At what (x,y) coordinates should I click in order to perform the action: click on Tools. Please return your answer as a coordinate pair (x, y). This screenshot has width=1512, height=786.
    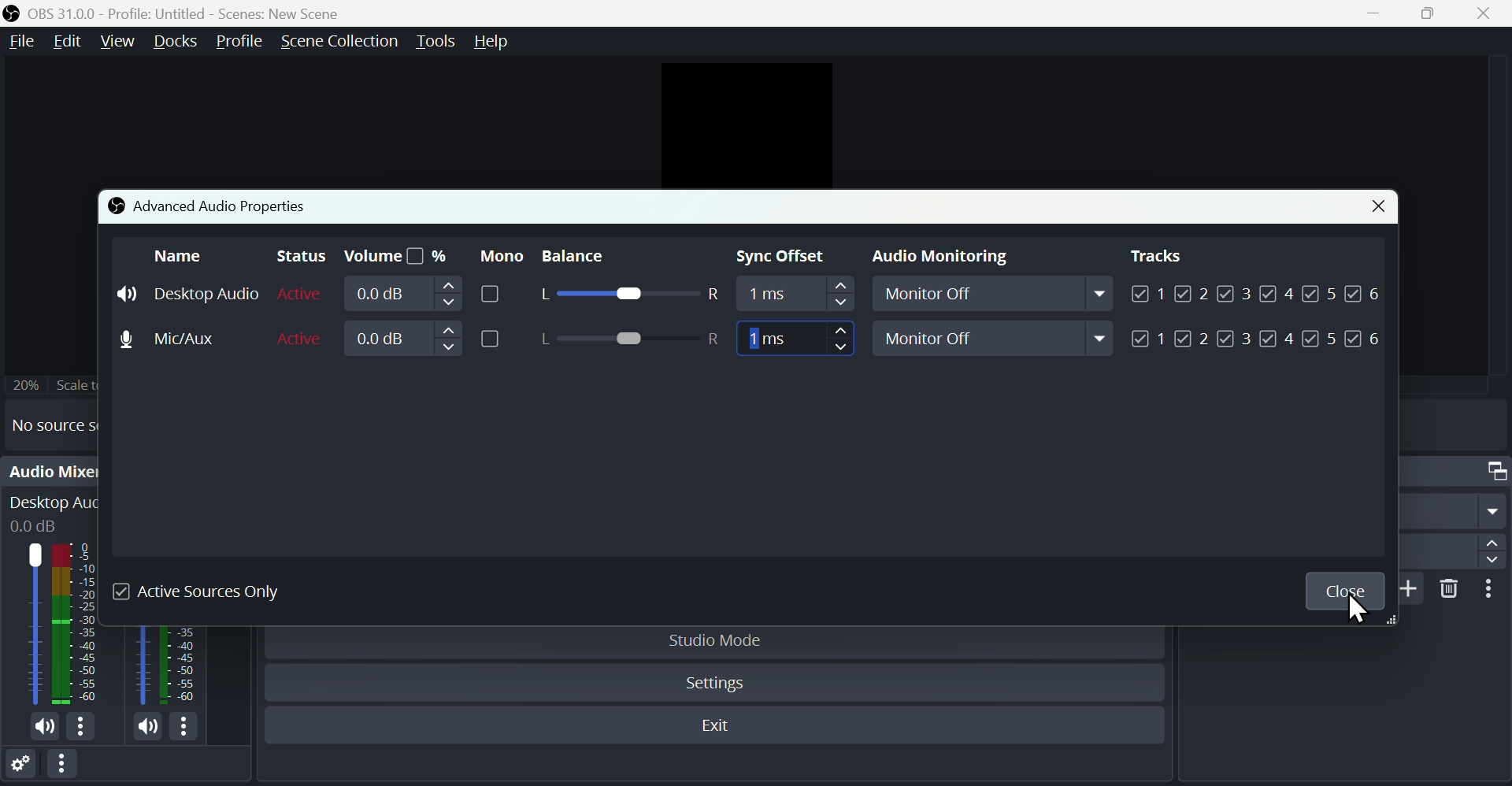
    Looking at the image, I should click on (435, 42).